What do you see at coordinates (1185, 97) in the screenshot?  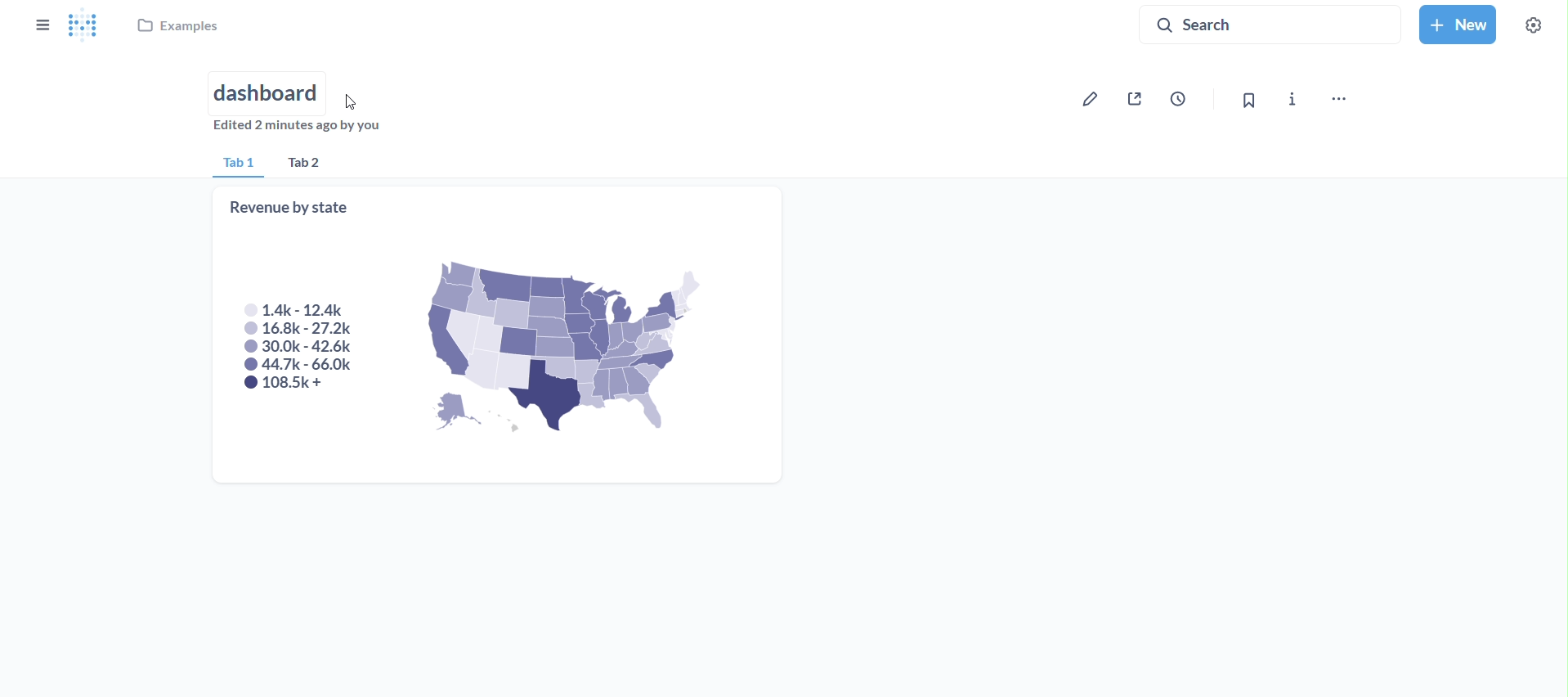 I see `auto refresh` at bounding box center [1185, 97].